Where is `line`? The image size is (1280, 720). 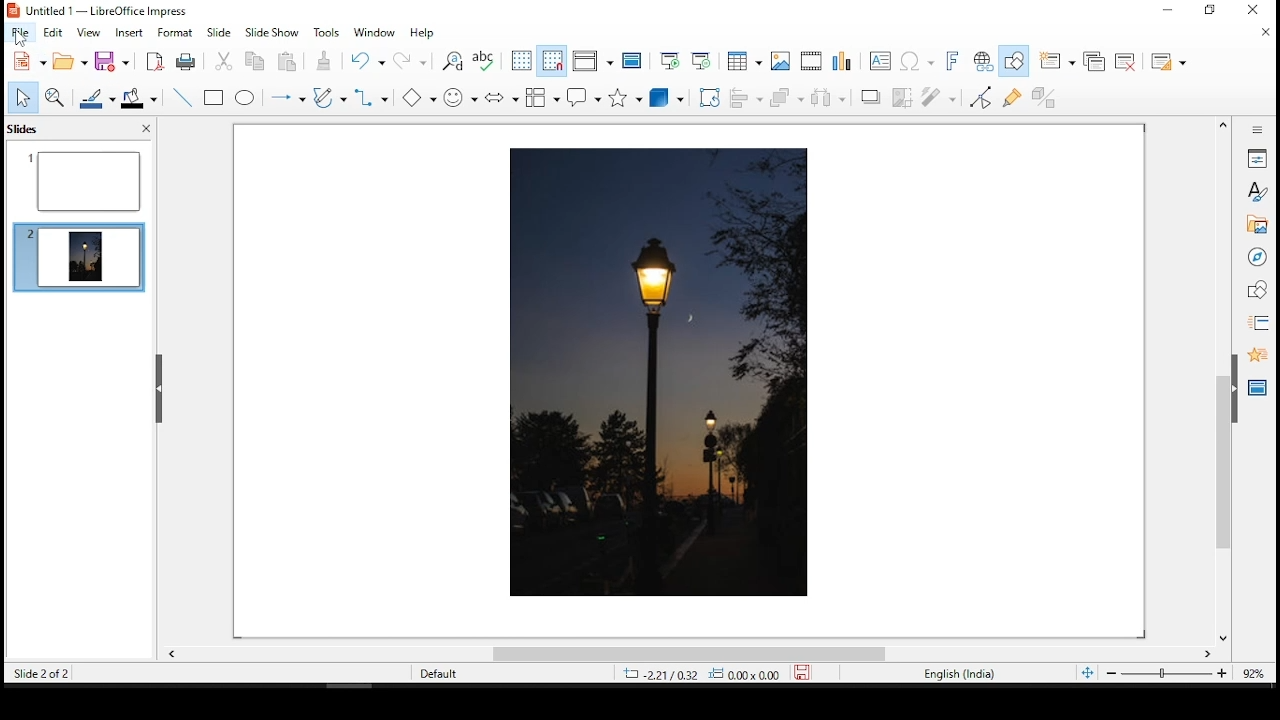 line is located at coordinates (183, 96).